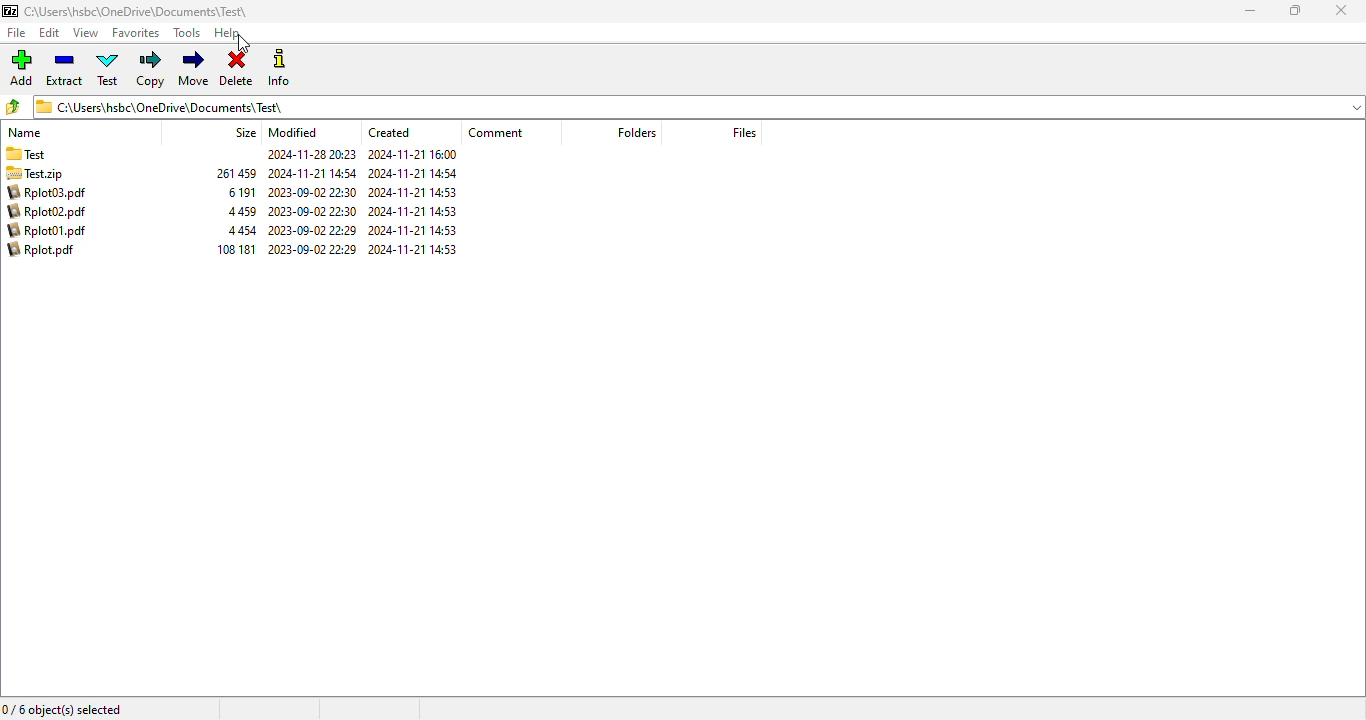 This screenshot has width=1366, height=720. Describe the element at coordinates (242, 44) in the screenshot. I see `cursor` at that location.